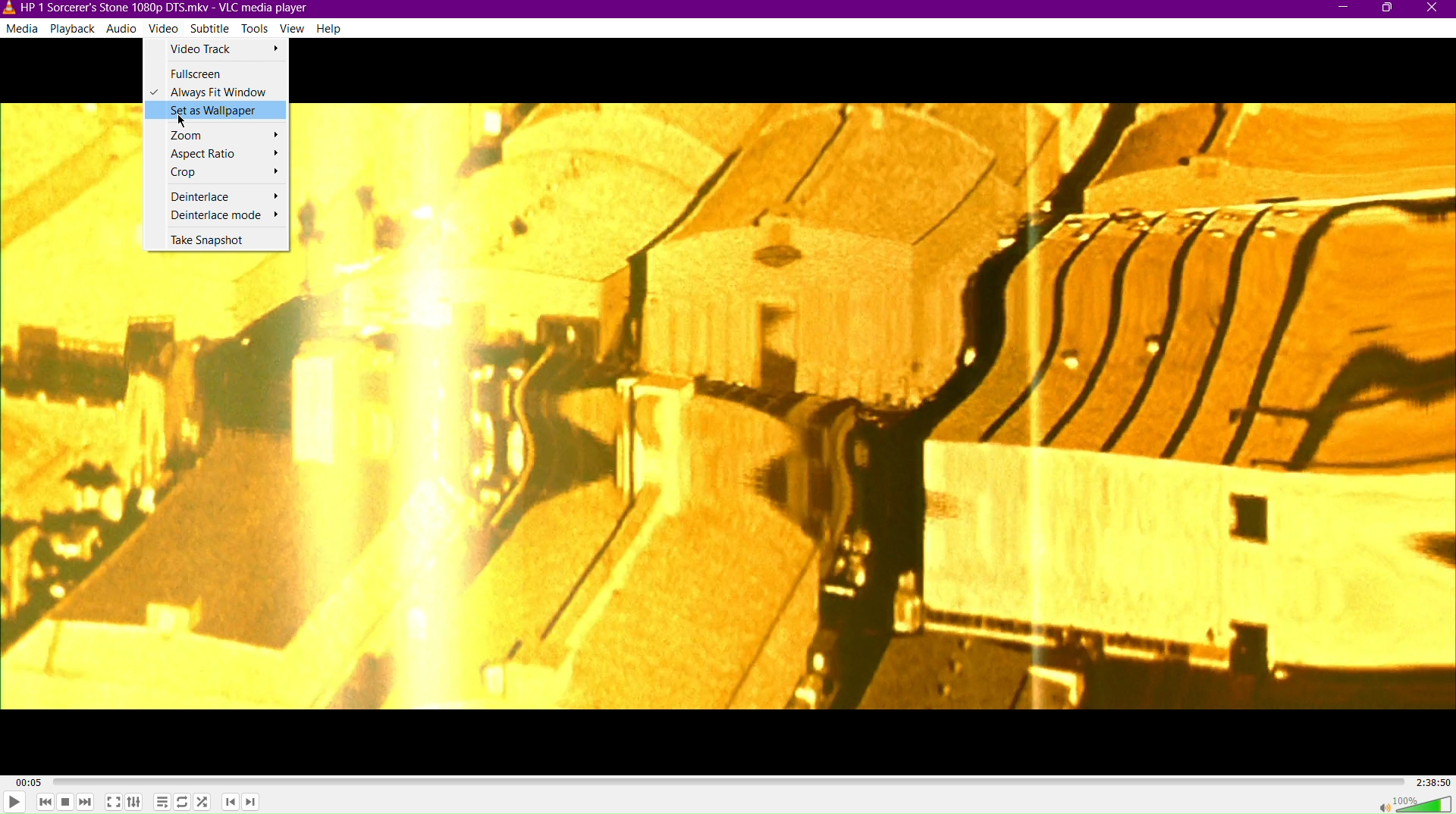 This screenshot has height=814, width=1456. Describe the element at coordinates (216, 92) in the screenshot. I see `Always Fit Window` at that location.